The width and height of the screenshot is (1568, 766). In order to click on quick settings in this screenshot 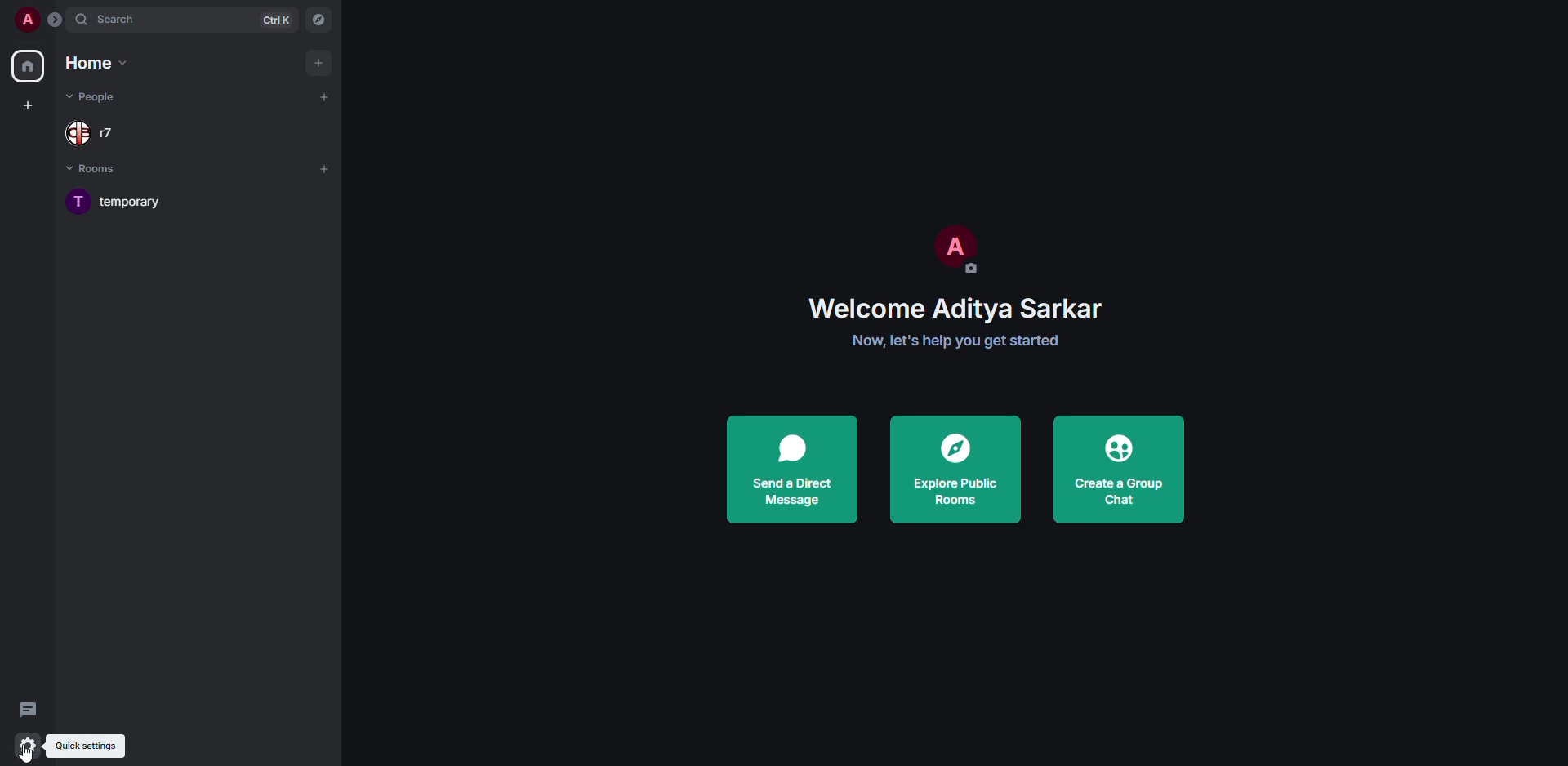, I will do `click(84, 747)`.